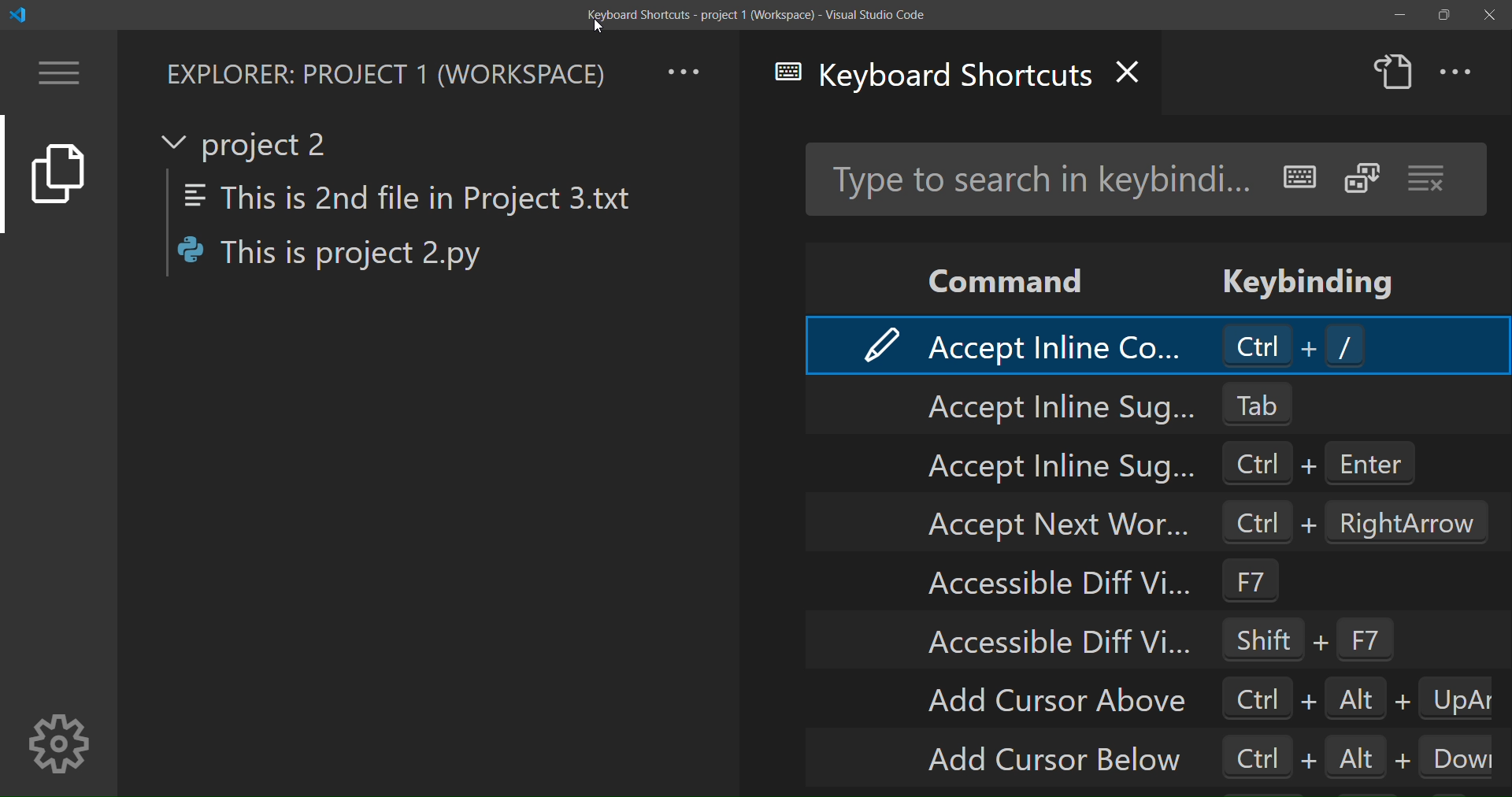 The width and height of the screenshot is (1512, 797). Describe the element at coordinates (1296, 345) in the screenshot. I see `ctrl + /` at that location.